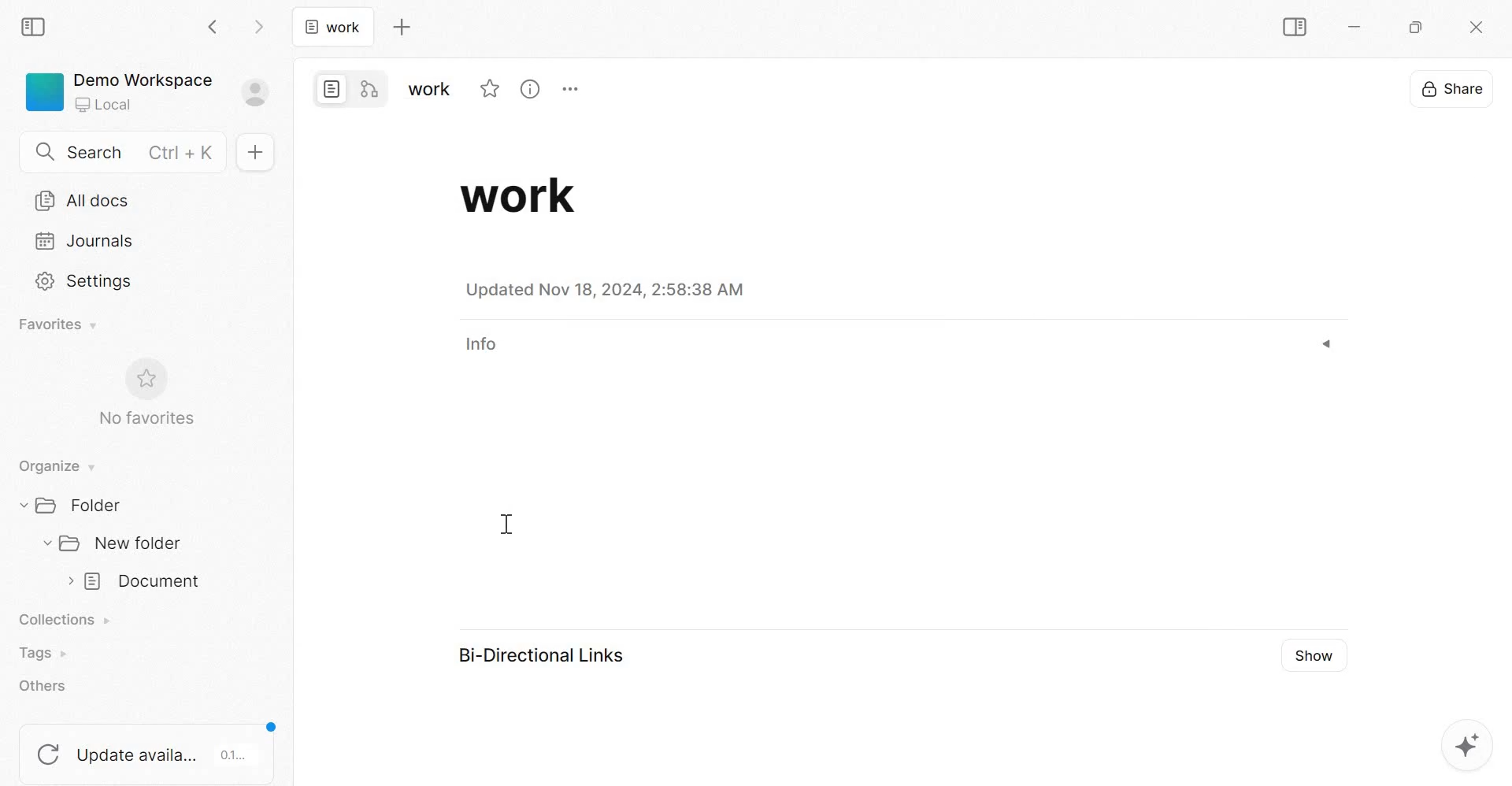 The image size is (1512, 786). What do you see at coordinates (129, 150) in the screenshot?
I see `Search` at bounding box center [129, 150].